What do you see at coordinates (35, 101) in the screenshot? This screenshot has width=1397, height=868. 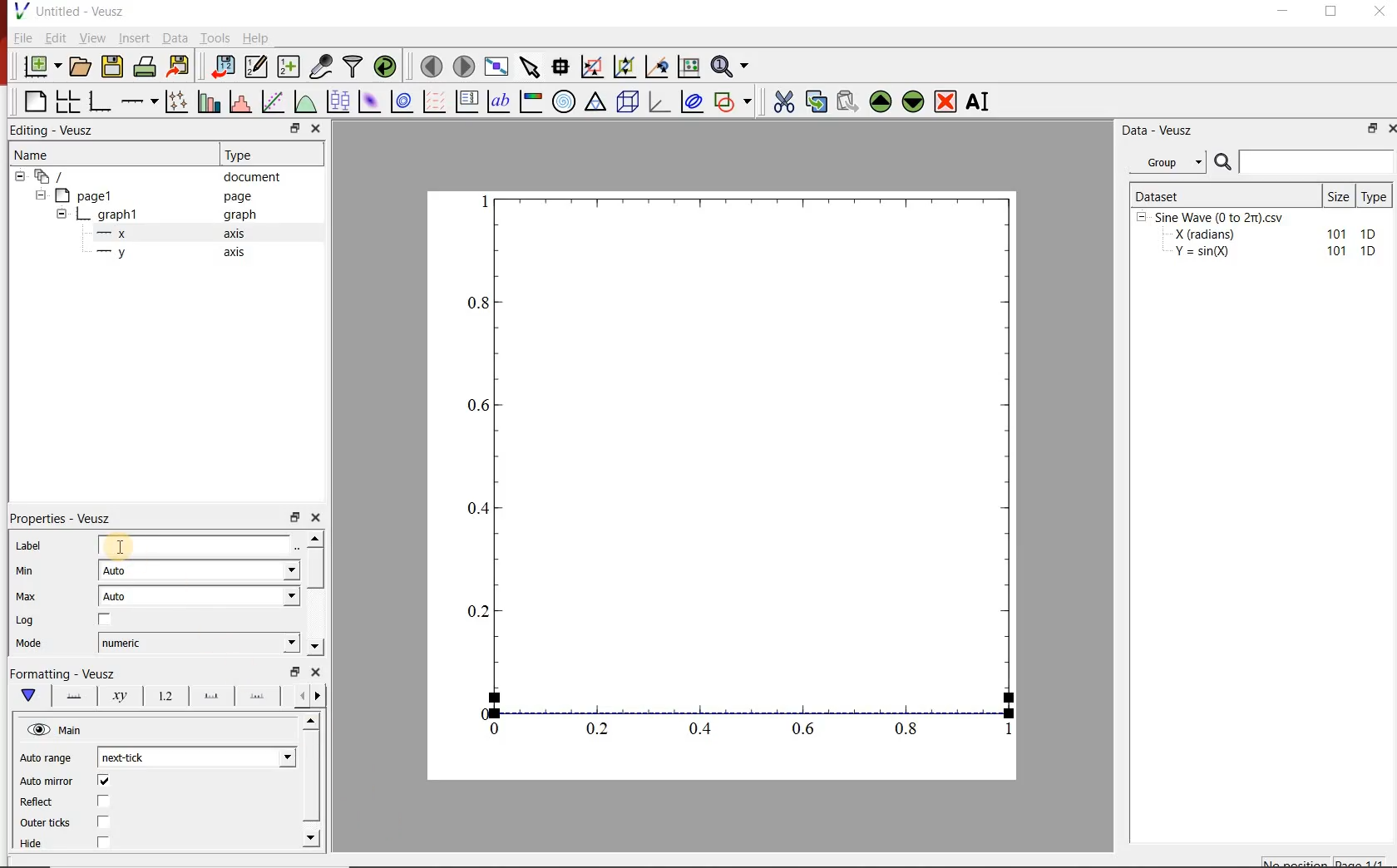 I see `Blank page` at bounding box center [35, 101].